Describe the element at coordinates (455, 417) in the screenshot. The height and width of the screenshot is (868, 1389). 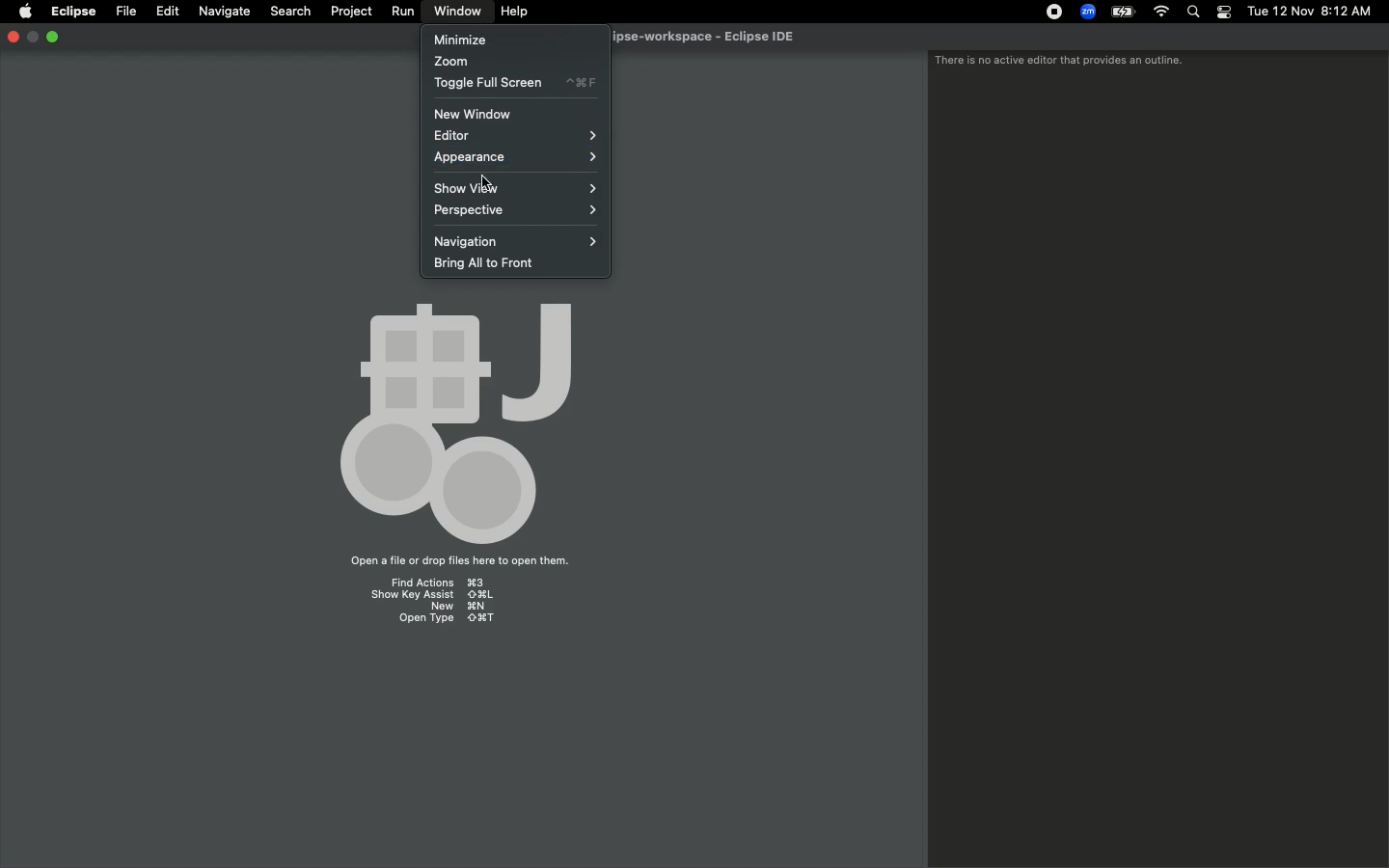
I see `Emblem` at that location.